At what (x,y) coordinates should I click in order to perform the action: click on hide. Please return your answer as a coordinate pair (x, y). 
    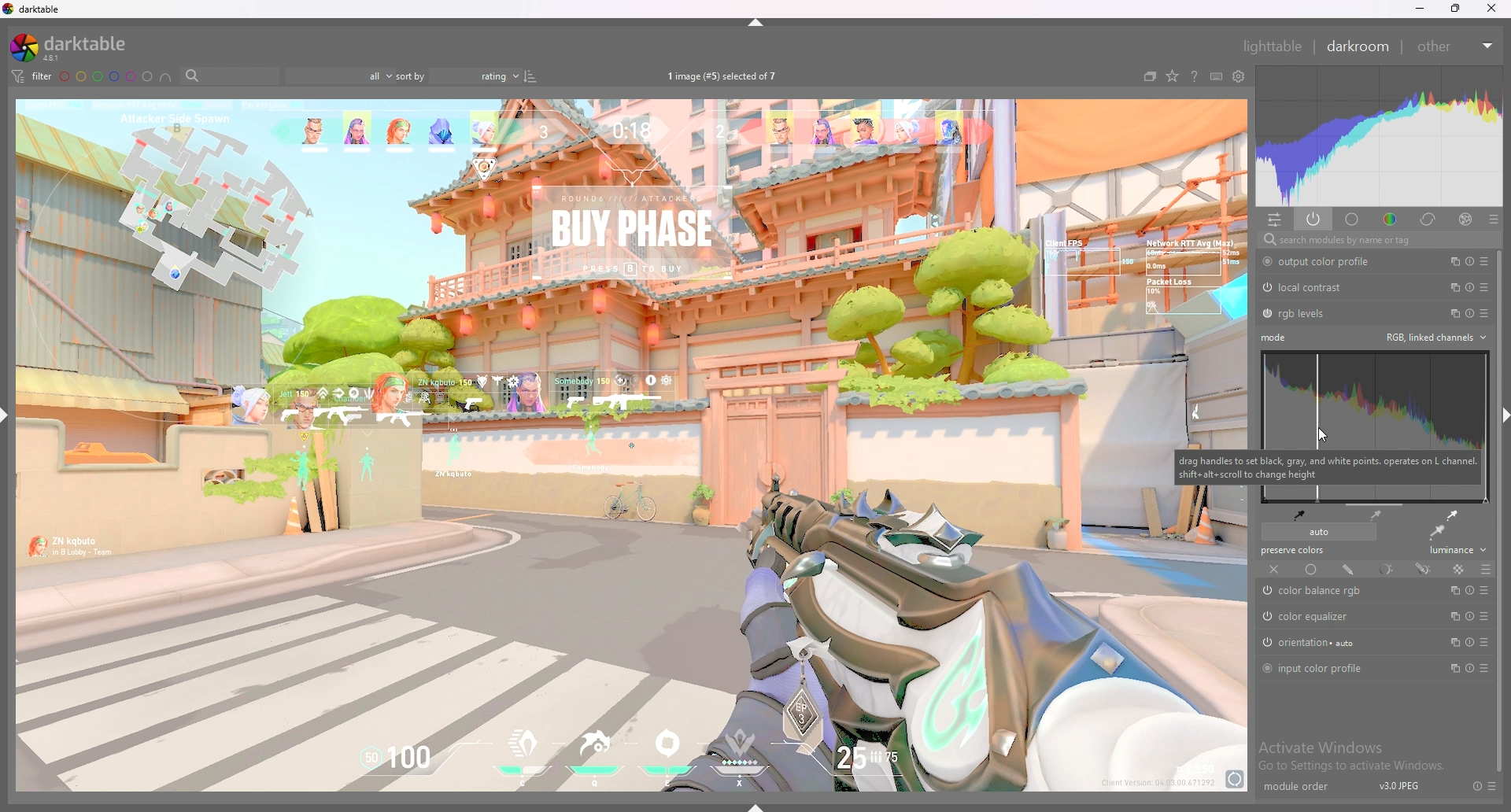
    Looking at the image, I should click on (760, 805).